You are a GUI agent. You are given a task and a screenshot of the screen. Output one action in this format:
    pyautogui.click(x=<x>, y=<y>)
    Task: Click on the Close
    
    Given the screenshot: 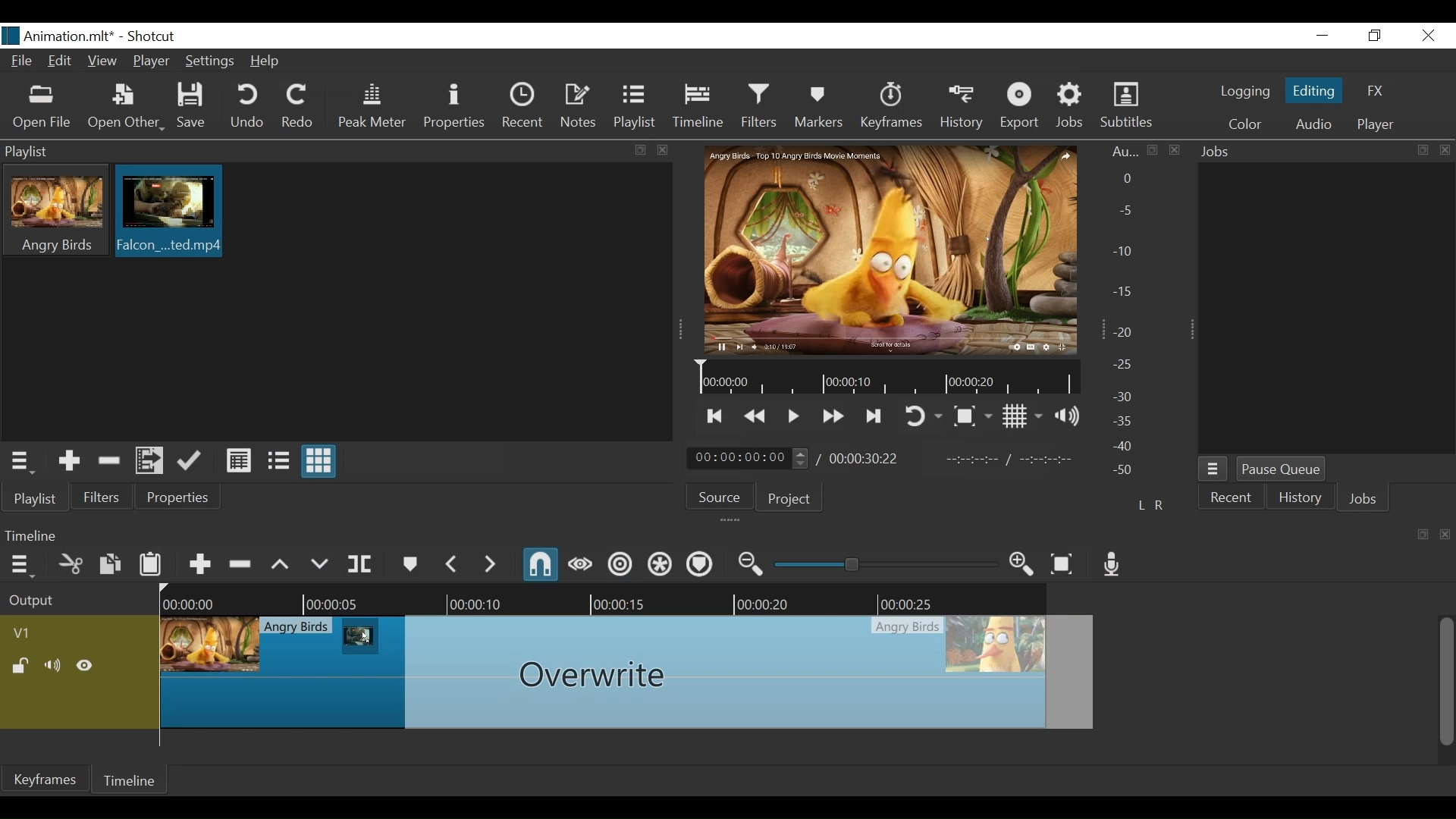 What is the action you would take?
    pyautogui.click(x=1429, y=36)
    